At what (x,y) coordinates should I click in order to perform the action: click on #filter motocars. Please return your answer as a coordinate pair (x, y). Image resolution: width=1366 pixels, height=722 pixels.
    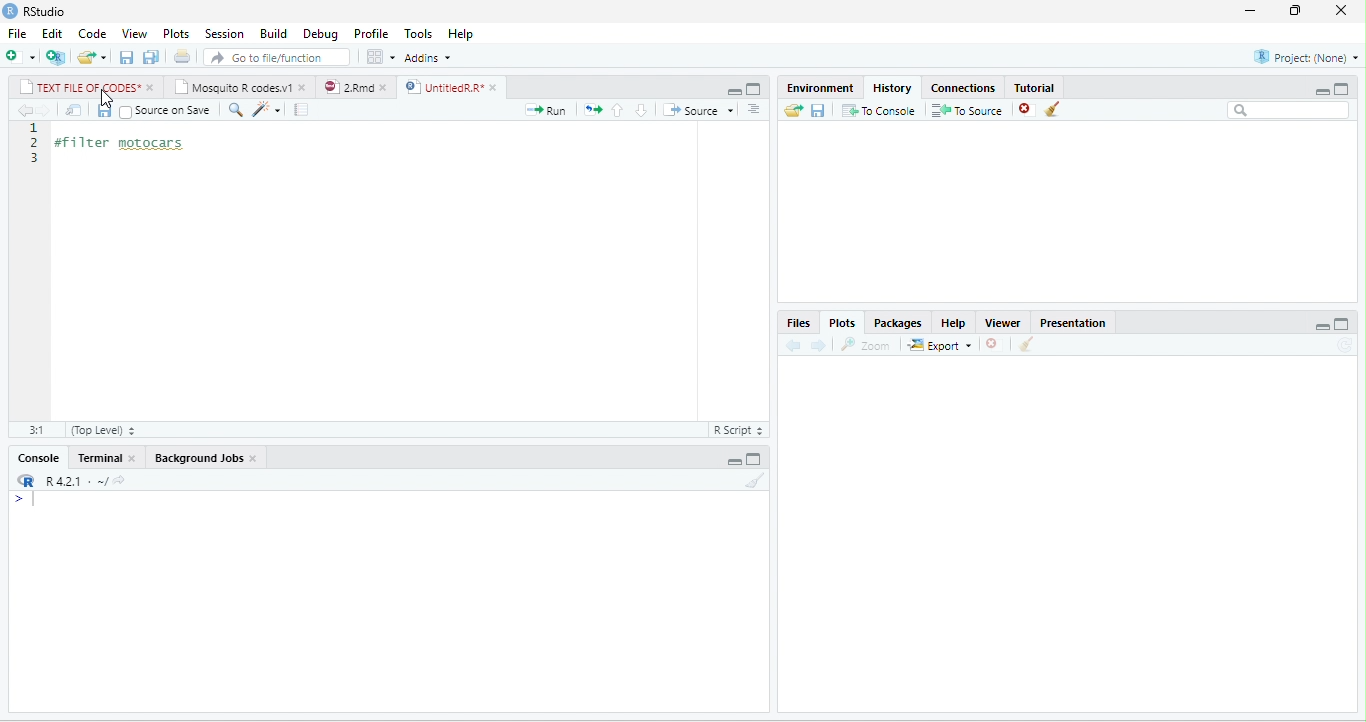
    Looking at the image, I should click on (129, 144).